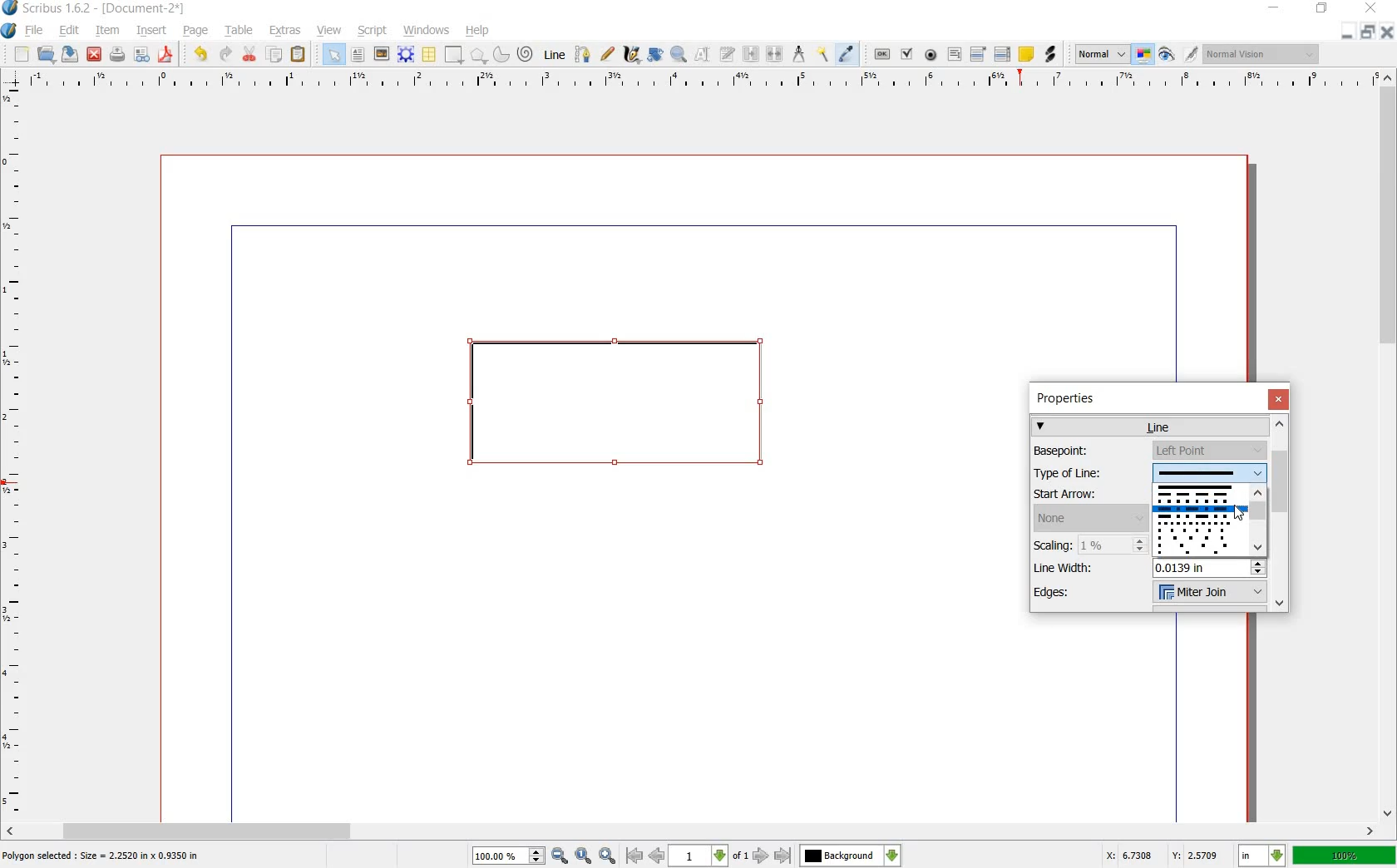 The image size is (1397, 868). What do you see at coordinates (1098, 54) in the screenshot?
I see `SELECT THE IMAGE PREVIEW QUALITY` at bounding box center [1098, 54].